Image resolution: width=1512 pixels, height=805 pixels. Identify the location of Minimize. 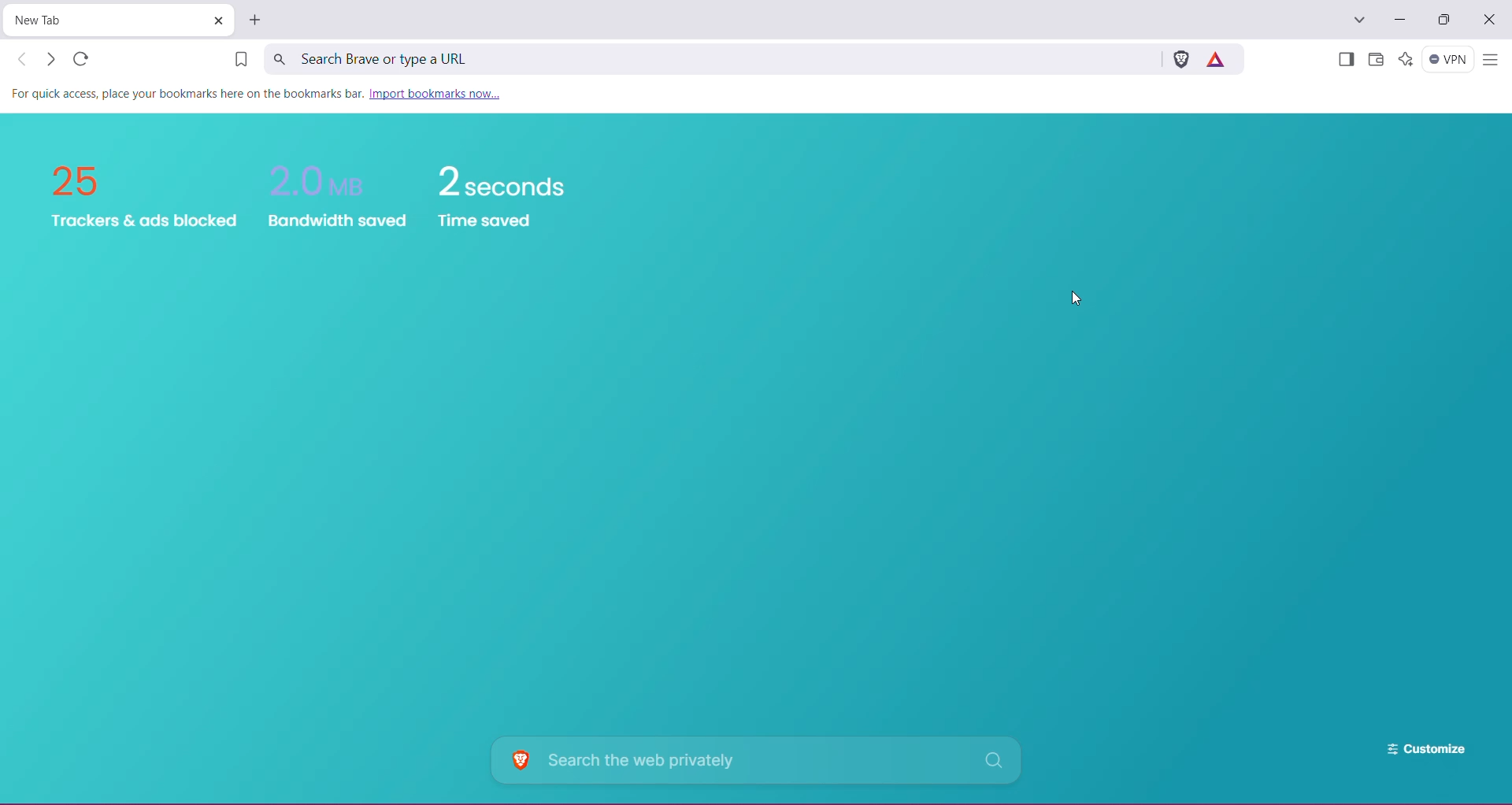
(1399, 20).